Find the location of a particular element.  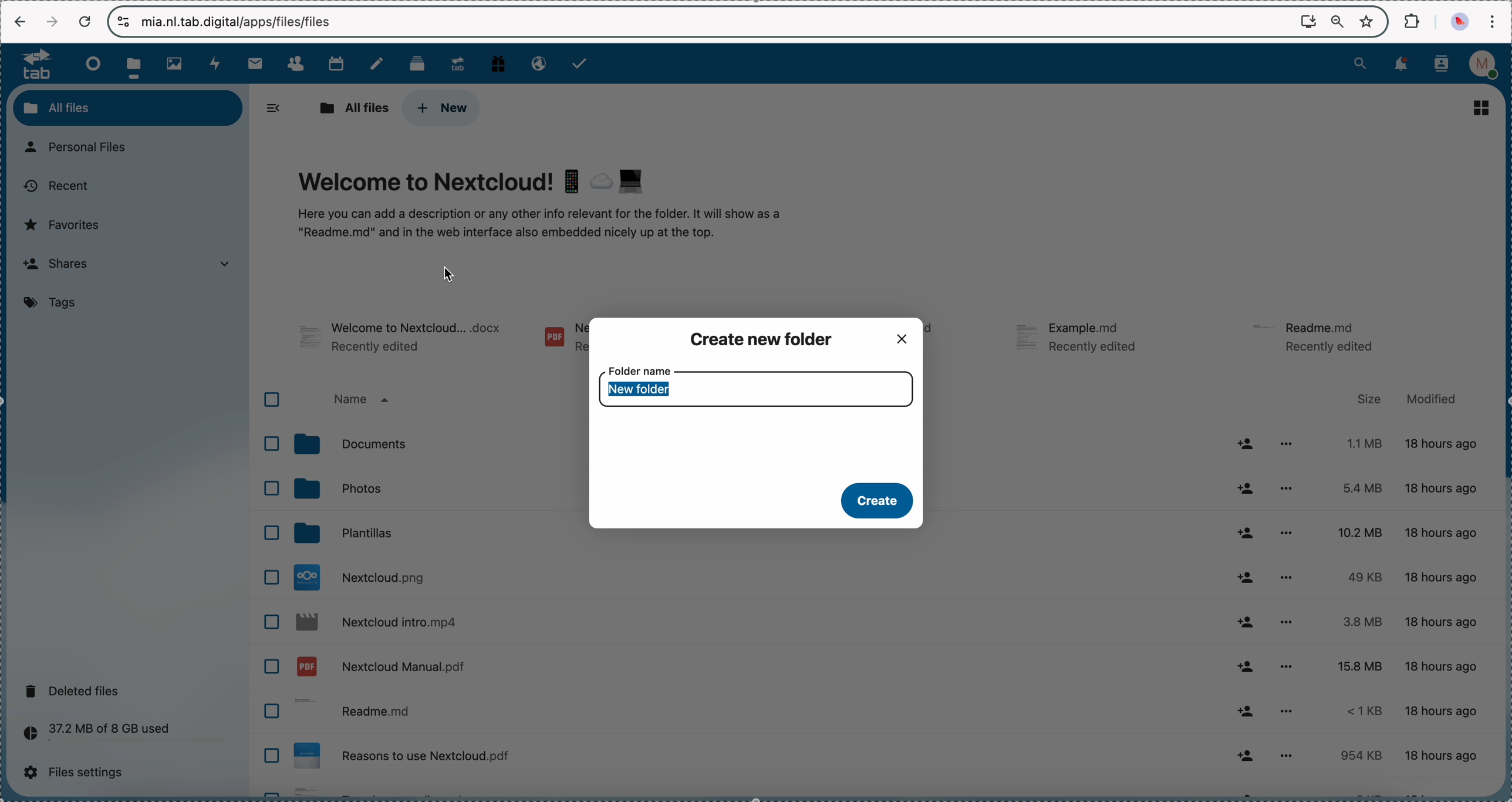

url is located at coordinates (246, 21).